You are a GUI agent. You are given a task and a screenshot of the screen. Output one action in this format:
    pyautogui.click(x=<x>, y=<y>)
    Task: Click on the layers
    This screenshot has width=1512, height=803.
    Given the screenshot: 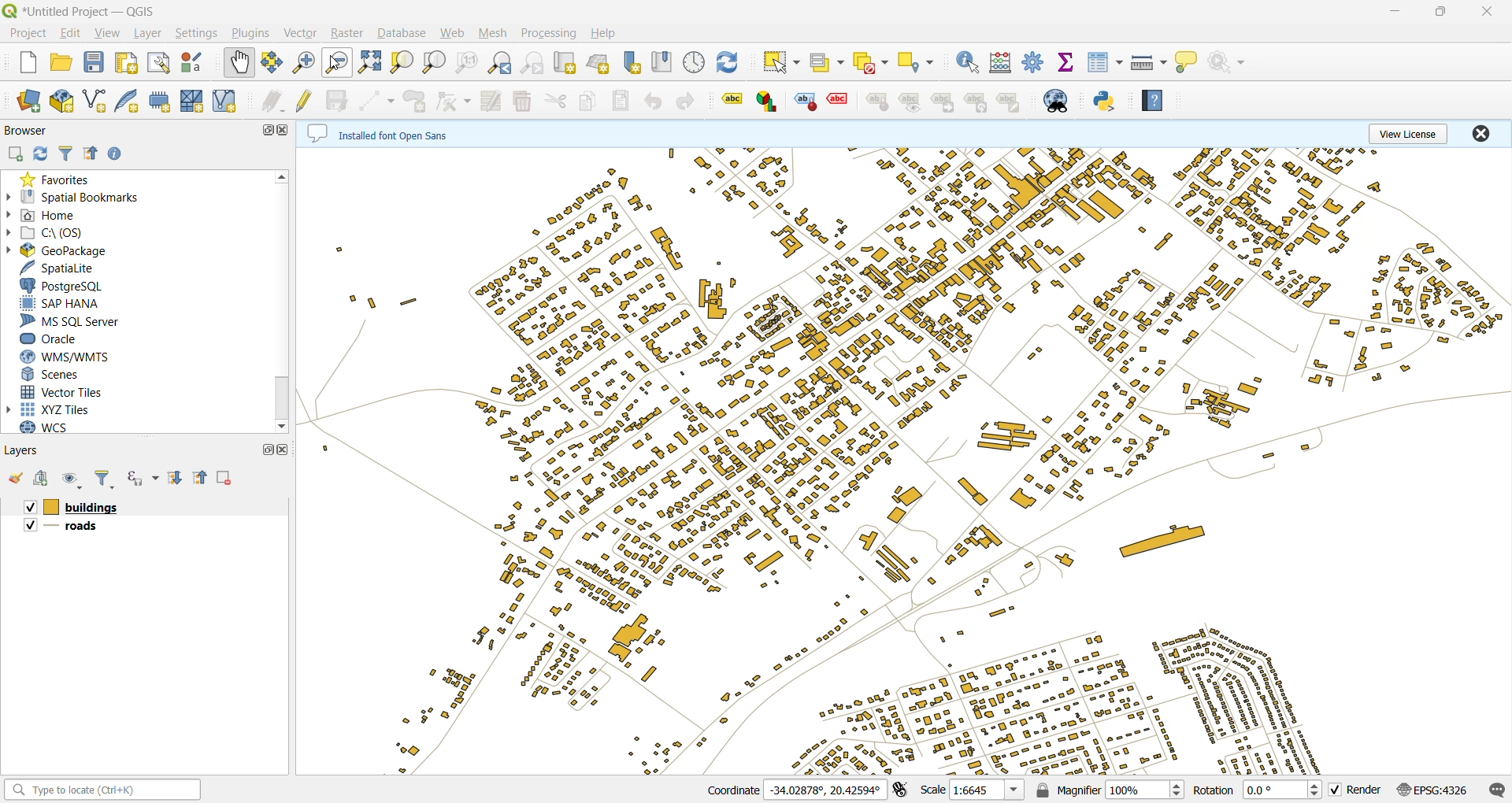 What is the action you would take?
    pyautogui.click(x=73, y=506)
    